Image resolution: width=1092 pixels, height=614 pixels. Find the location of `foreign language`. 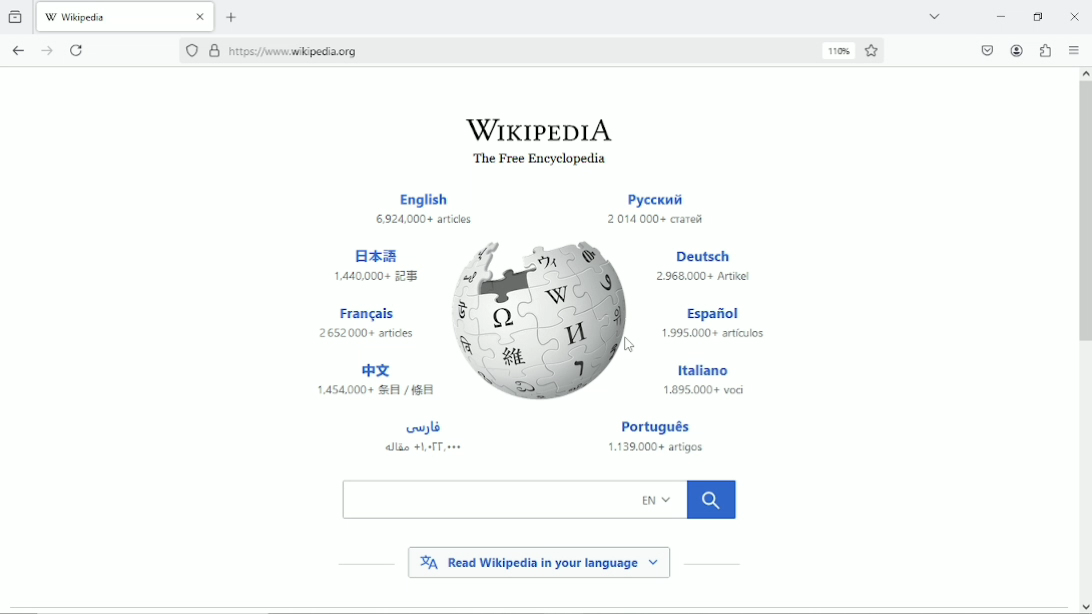

foreign language is located at coordinates (373, 381).